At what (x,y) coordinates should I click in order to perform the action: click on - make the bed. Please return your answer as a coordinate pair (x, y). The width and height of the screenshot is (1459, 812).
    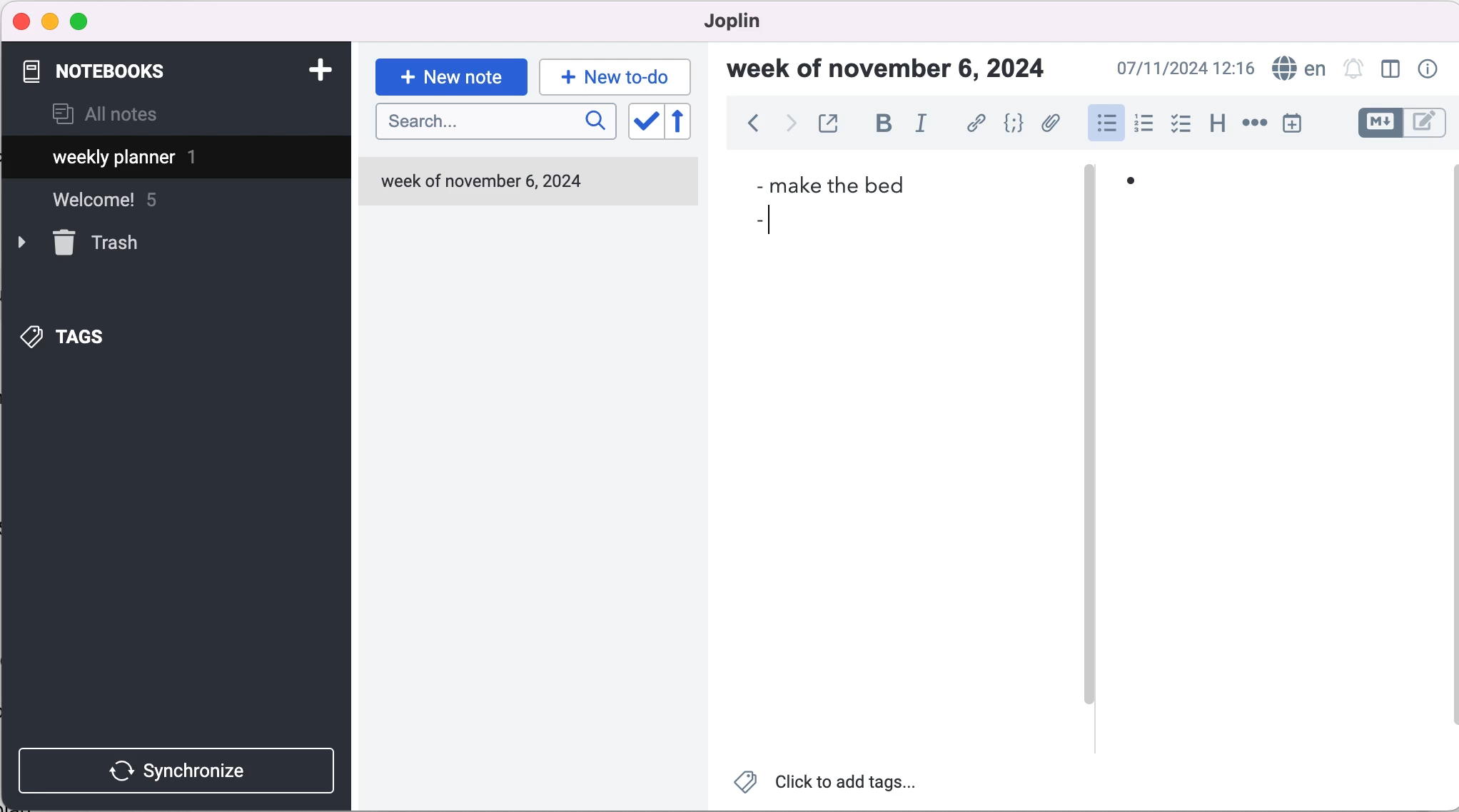
    Looking at the image, I should click on (834, 183).